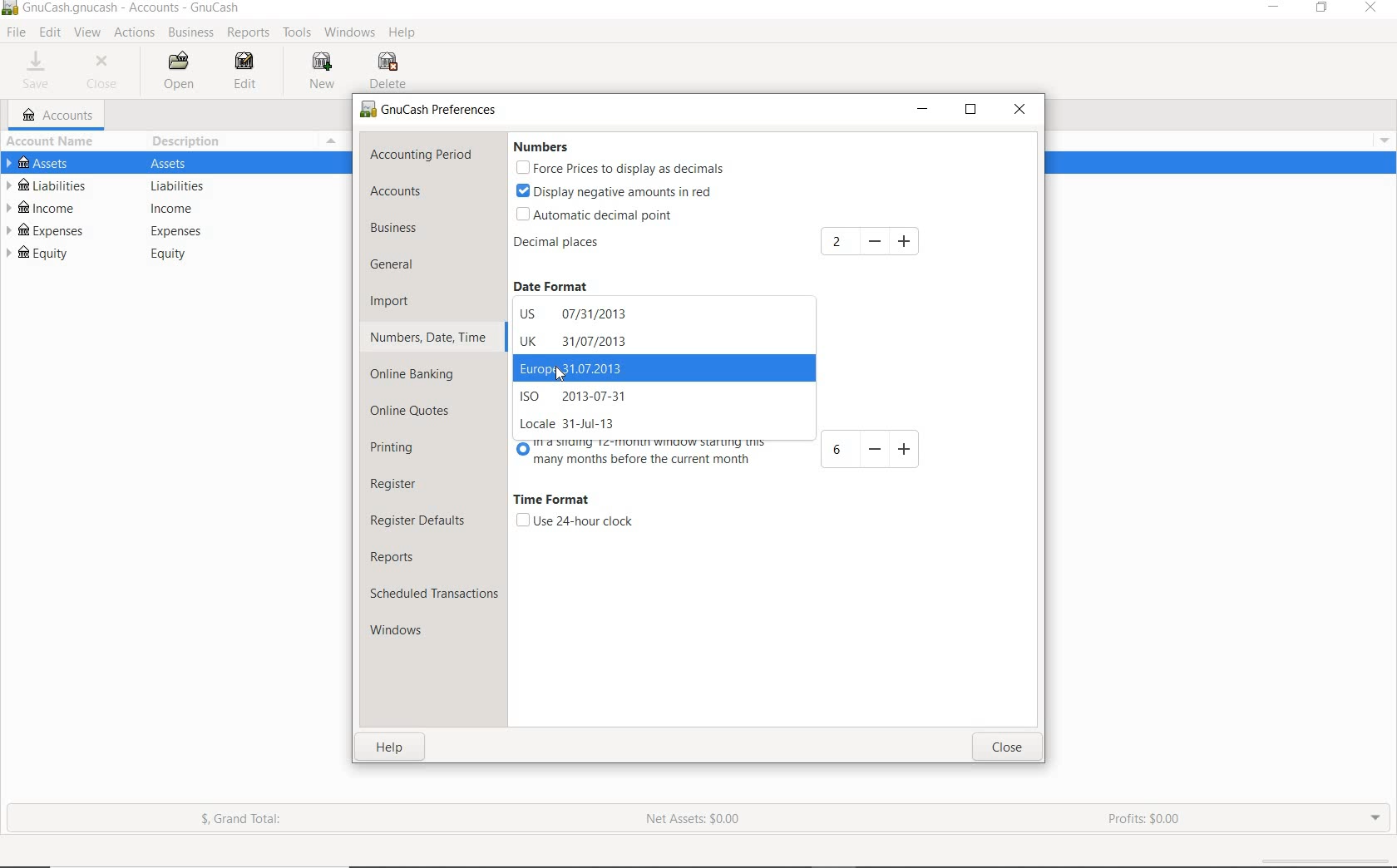 This screenshot has height=868, width=1397. Describe the element at coordinates (596, 216) in the screenshot. I see `automatic decimal points` at that location.